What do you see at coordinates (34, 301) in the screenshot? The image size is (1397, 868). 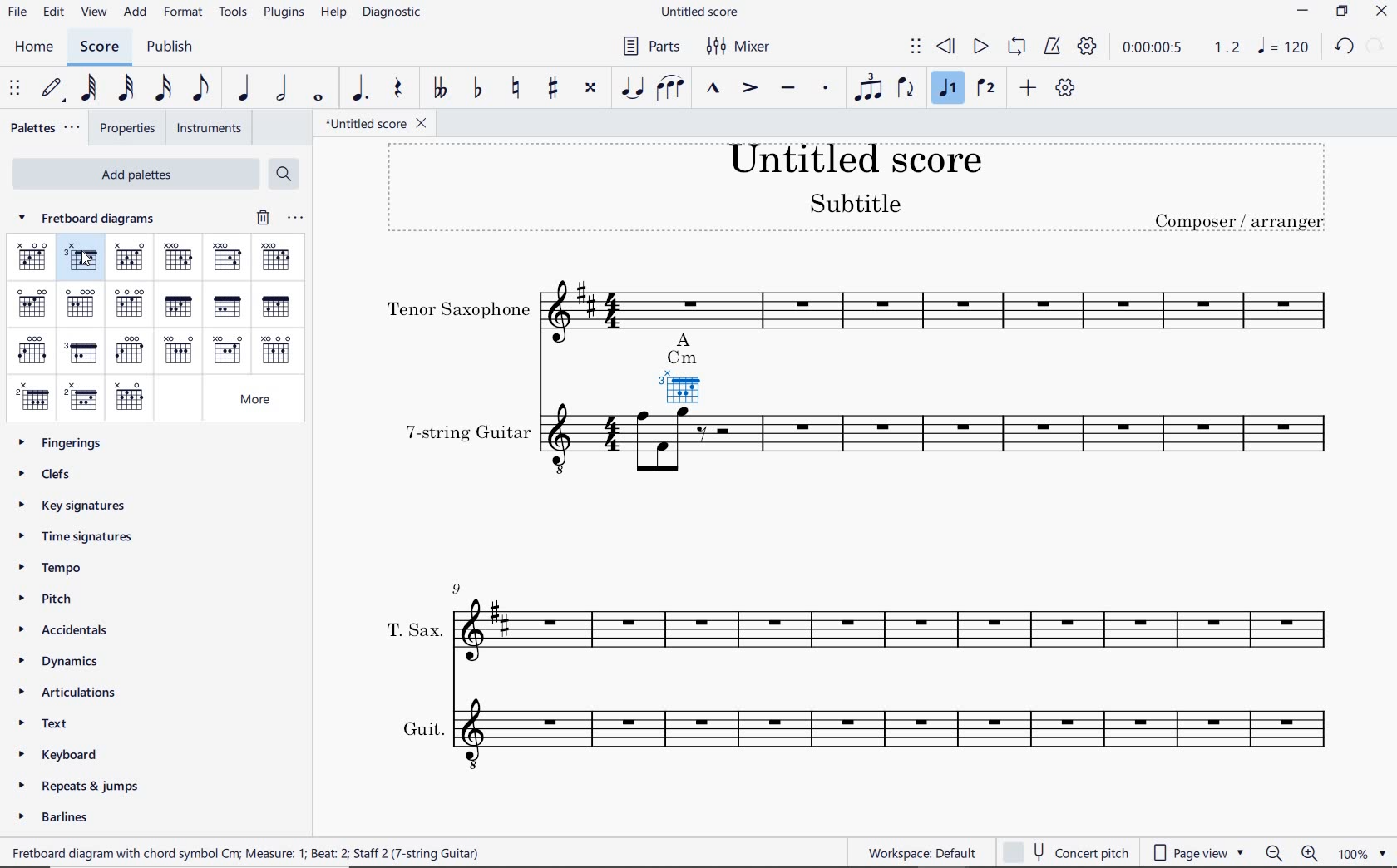 I see `E` at bounding box center [34, 301].